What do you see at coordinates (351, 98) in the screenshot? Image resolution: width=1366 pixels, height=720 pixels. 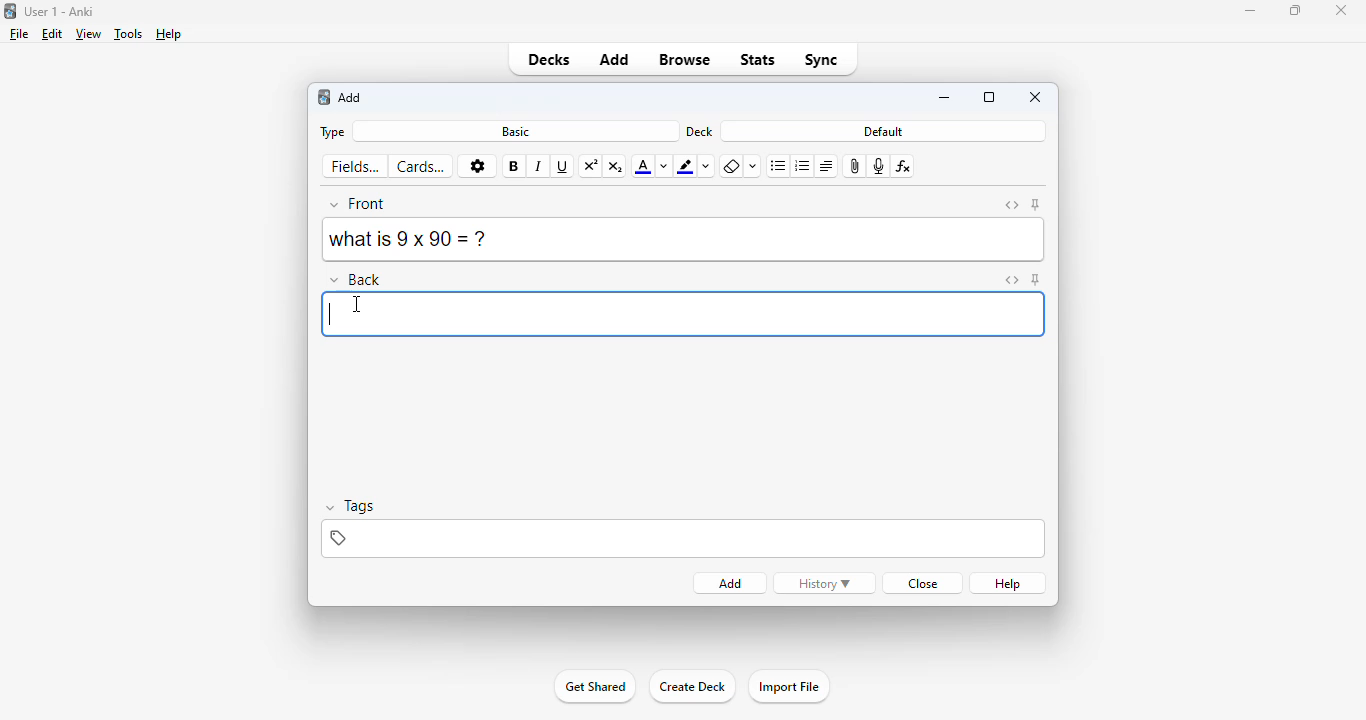 I see `add` at bounding box center [351, 98].